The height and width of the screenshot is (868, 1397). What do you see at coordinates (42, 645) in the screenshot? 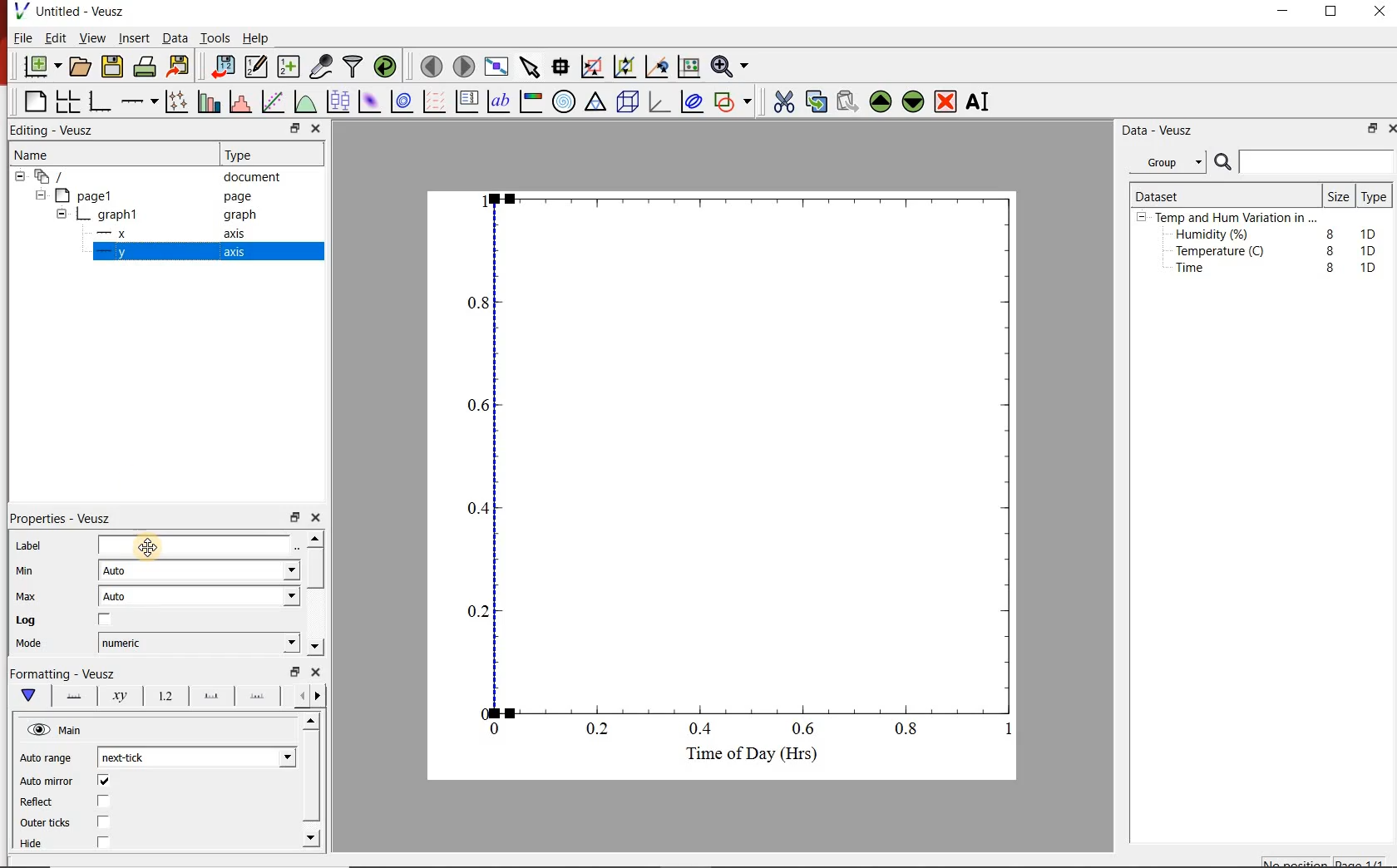
I see `Mode` at bounding box center [42, 645].